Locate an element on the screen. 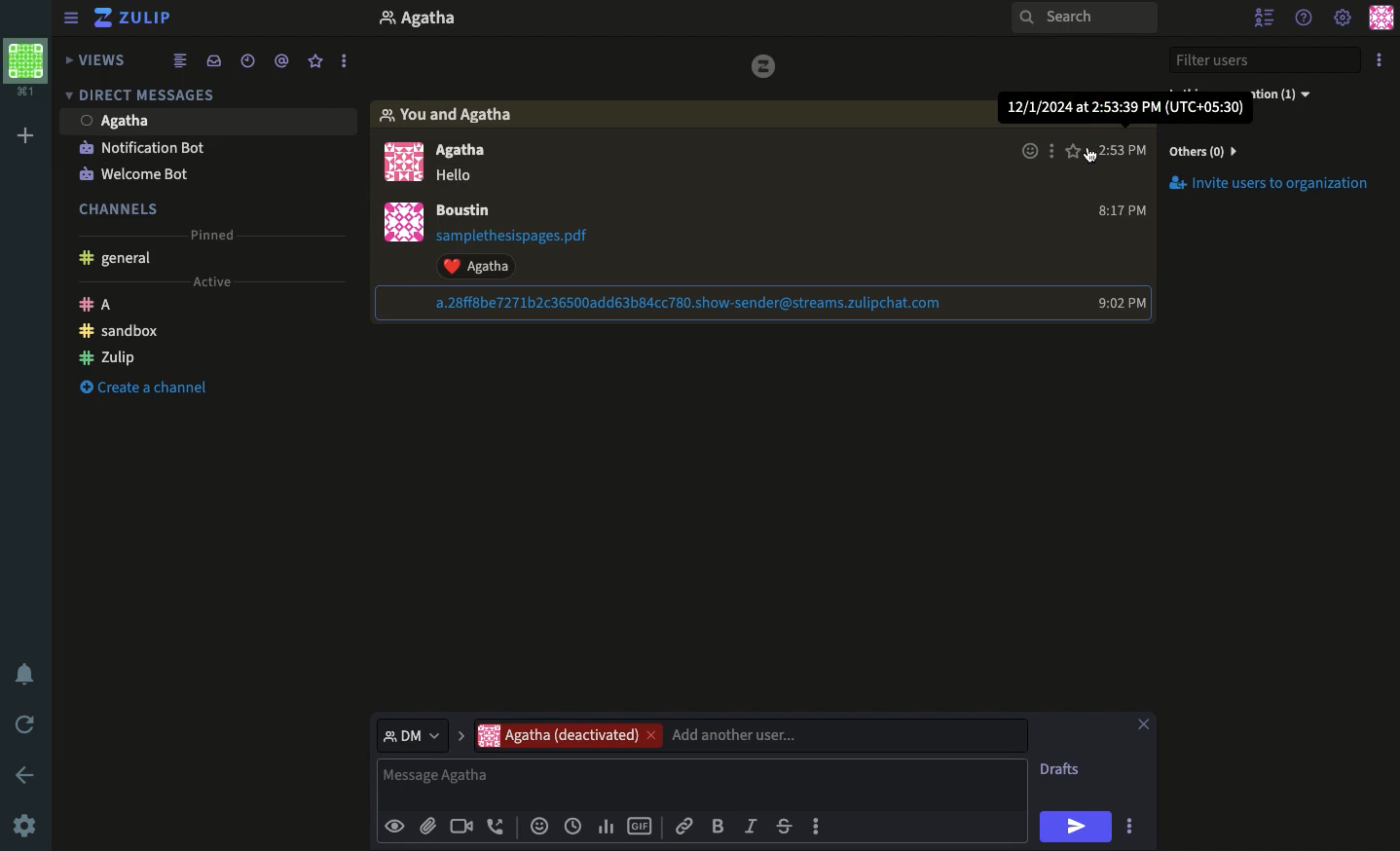 The image size is (1400, 851). Favorite is located at coordinates (1072, 152).